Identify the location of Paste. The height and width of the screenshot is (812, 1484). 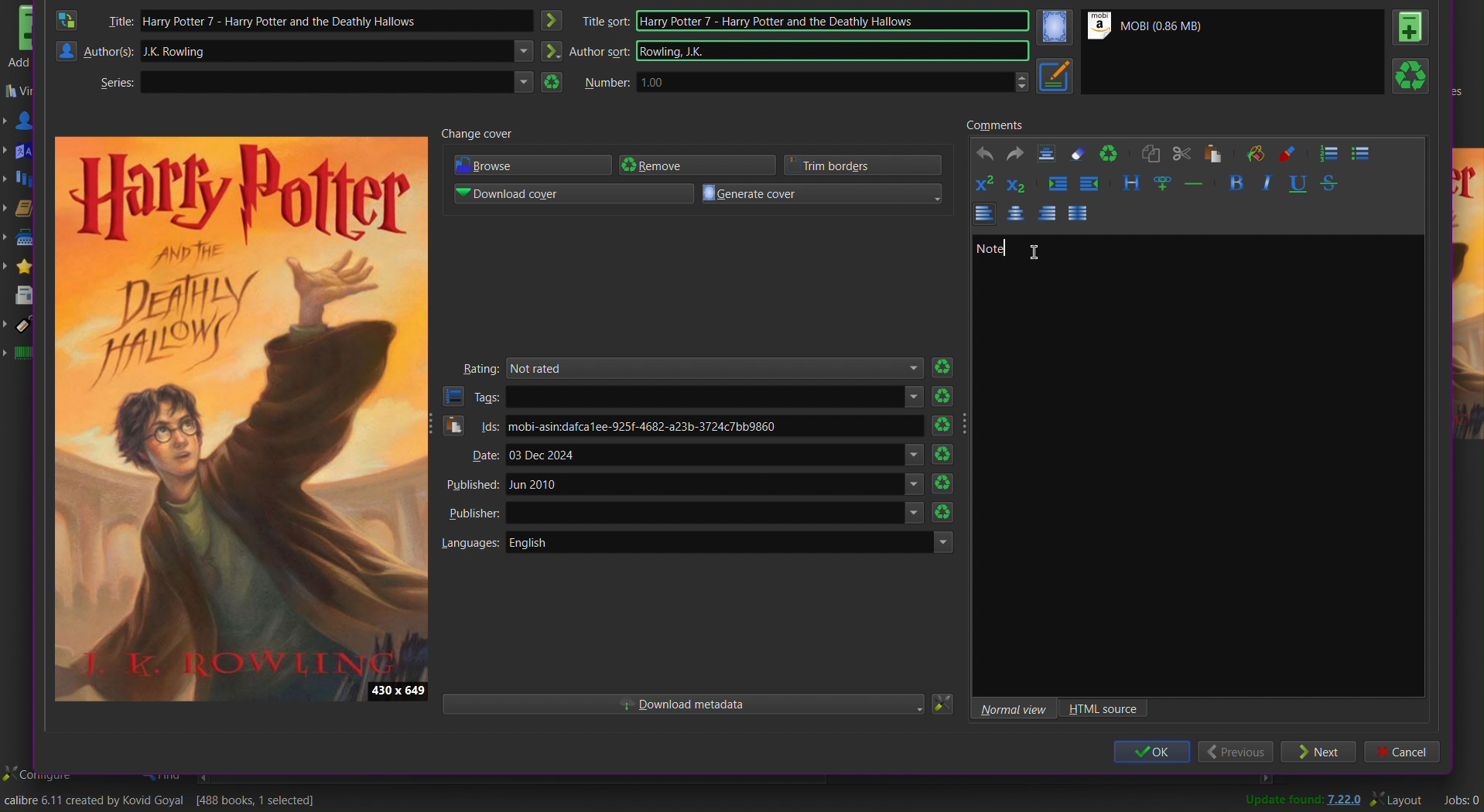
(1216, 155).